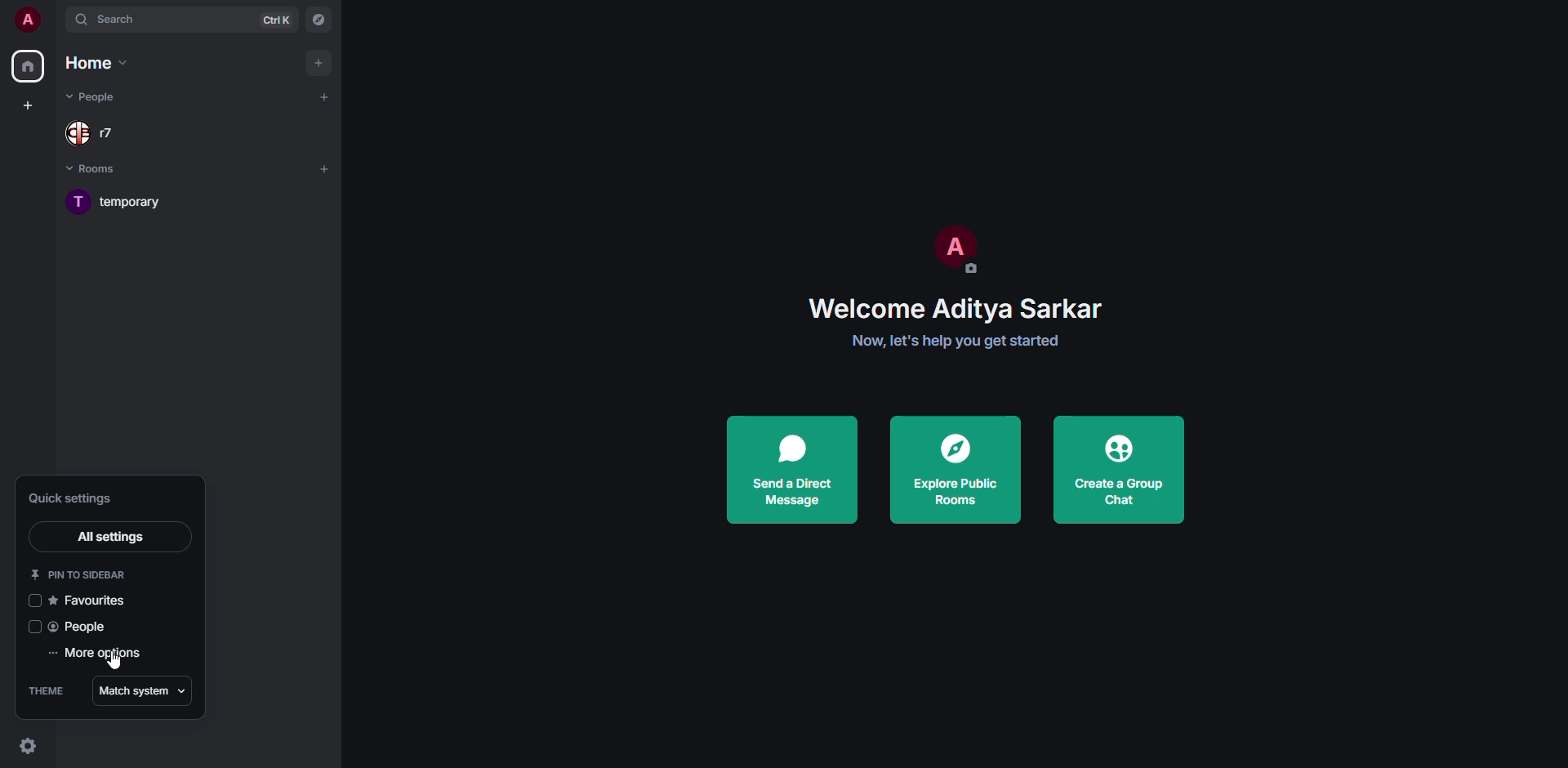  Describe the element at coordinates (954, 340) in the screenshot. I see `get started` at that location.